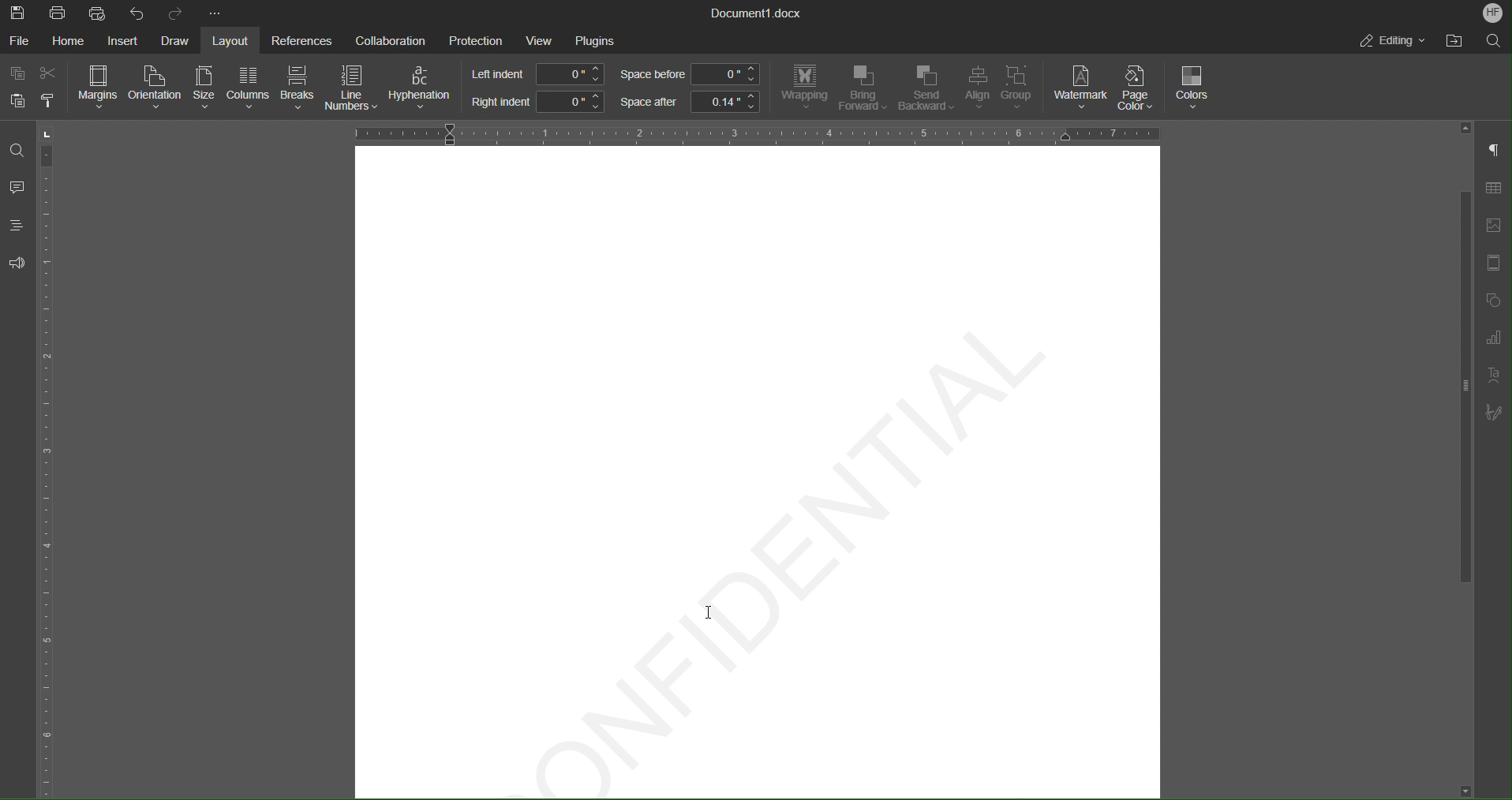 The image size is (1512, 800). What do you see at coordinates (926, 89) in the screenshot?
I see `Send Backward` at bounding box center [926, 89].